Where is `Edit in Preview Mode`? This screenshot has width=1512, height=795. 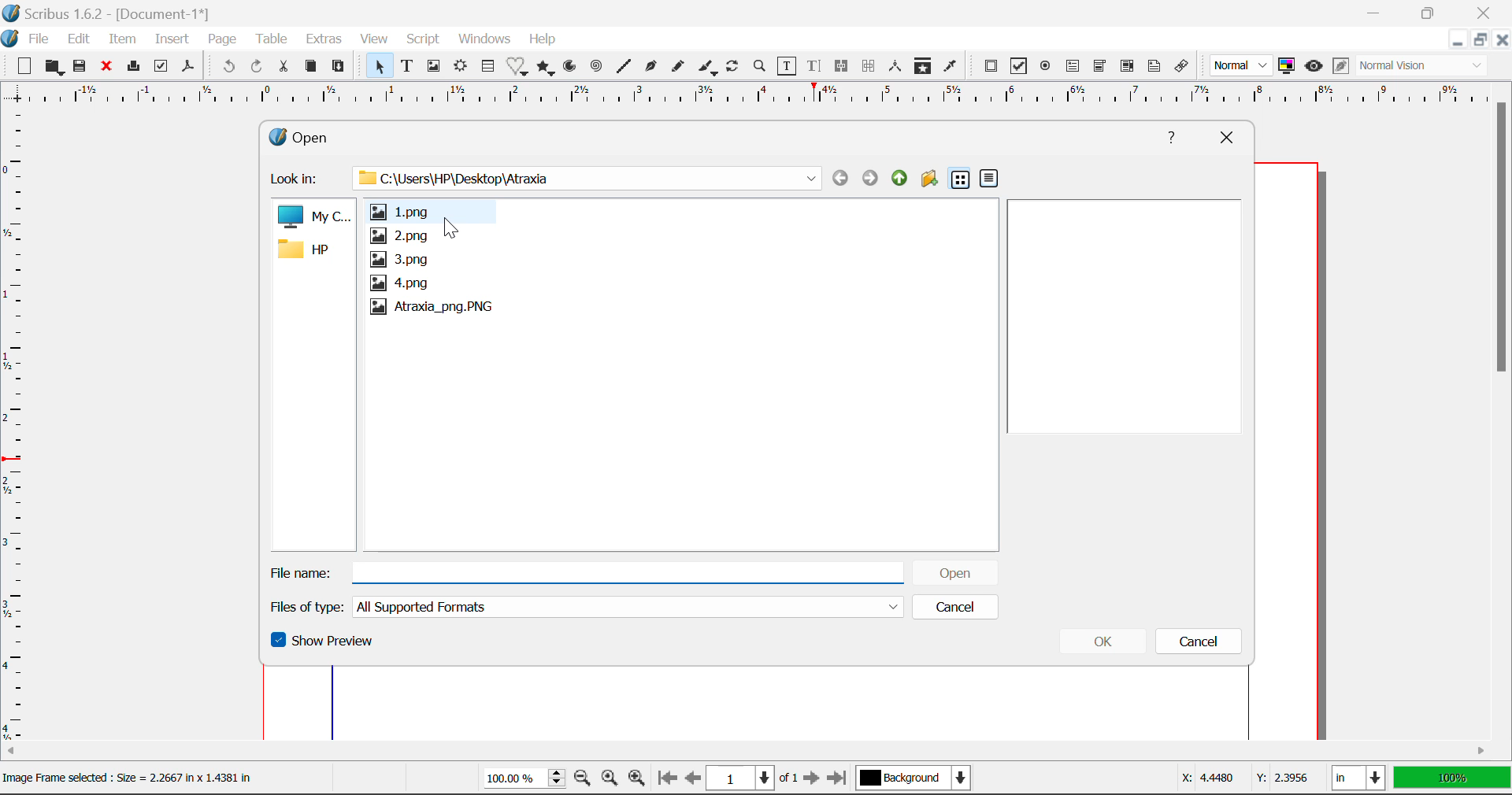 Edit in Preview Mode is located at coordinates (1340, 66).